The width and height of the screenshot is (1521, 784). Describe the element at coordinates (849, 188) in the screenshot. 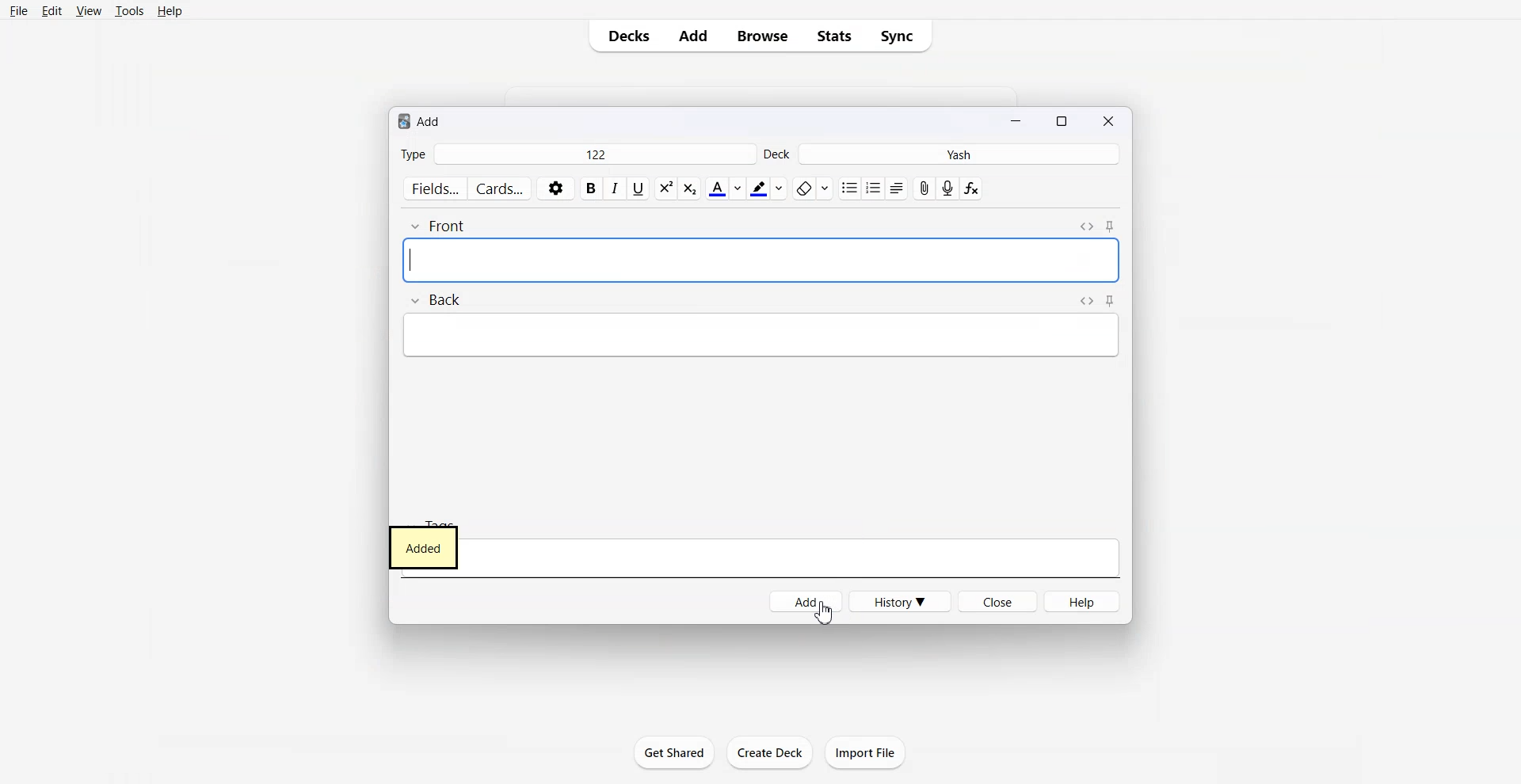

I see `Unordered list` at that location.